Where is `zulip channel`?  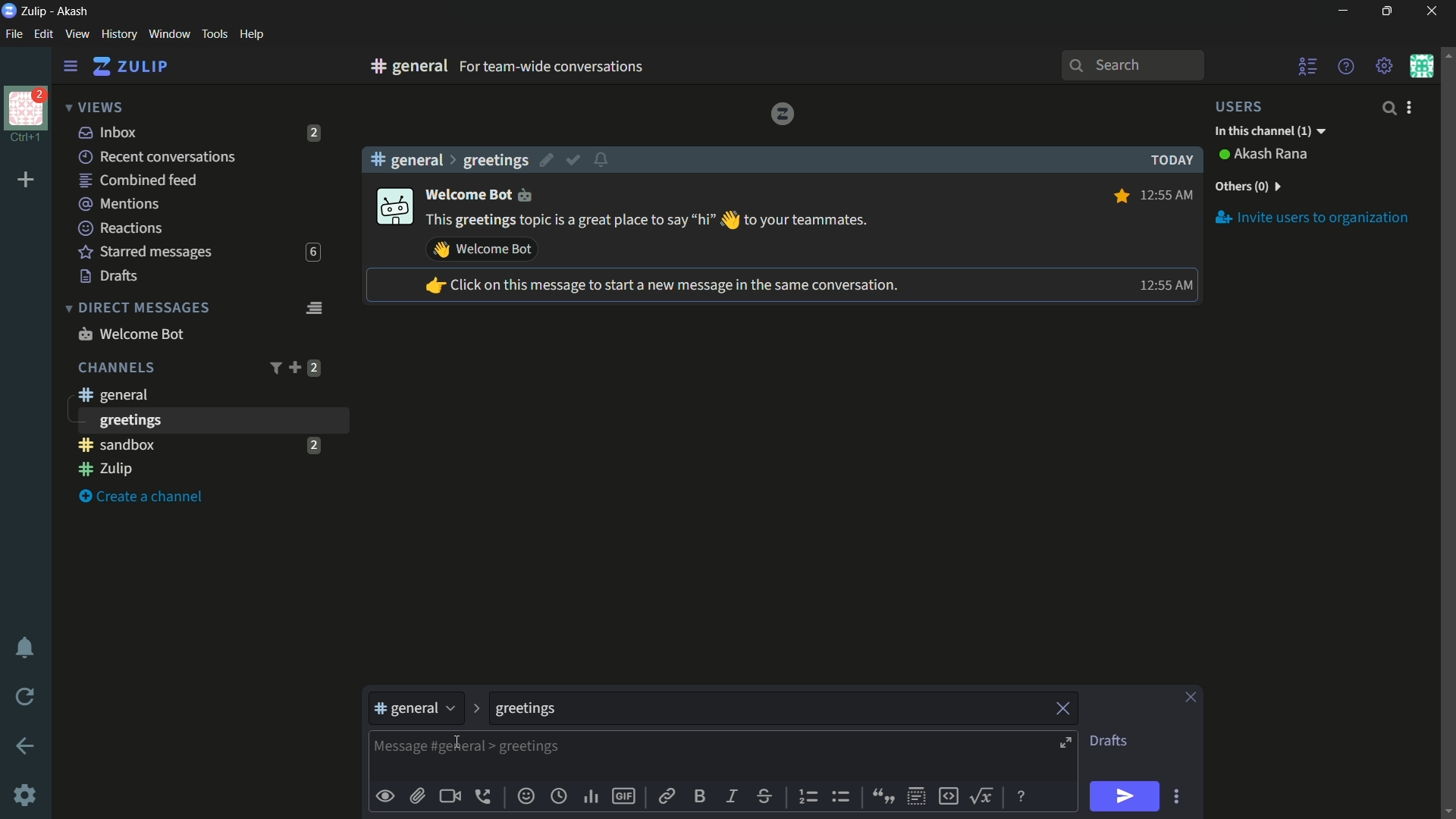
zulip channel is located at coordinates (205, 470).